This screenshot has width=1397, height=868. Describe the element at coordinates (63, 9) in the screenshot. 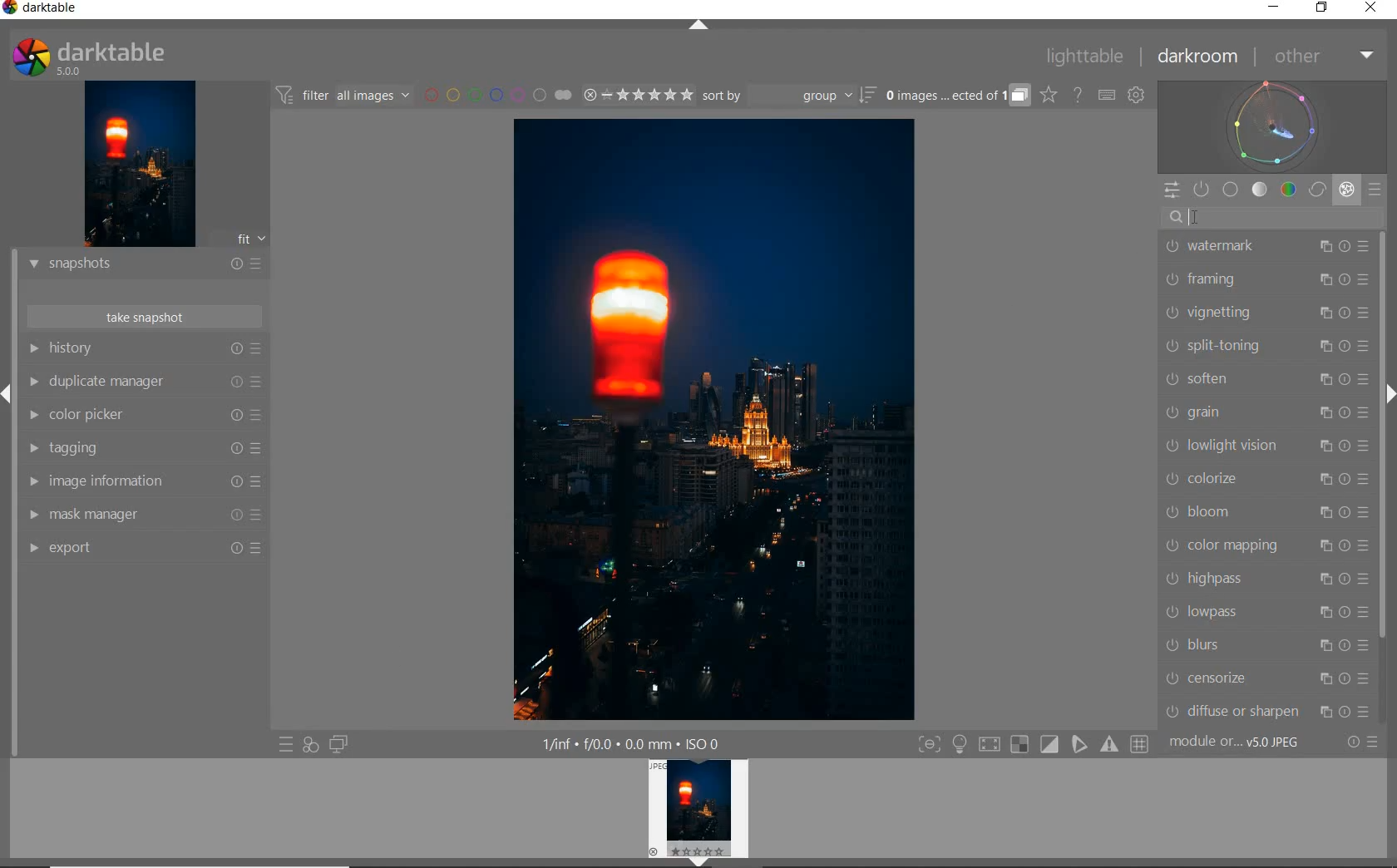

I see `SYSTEM NAME` at that location.